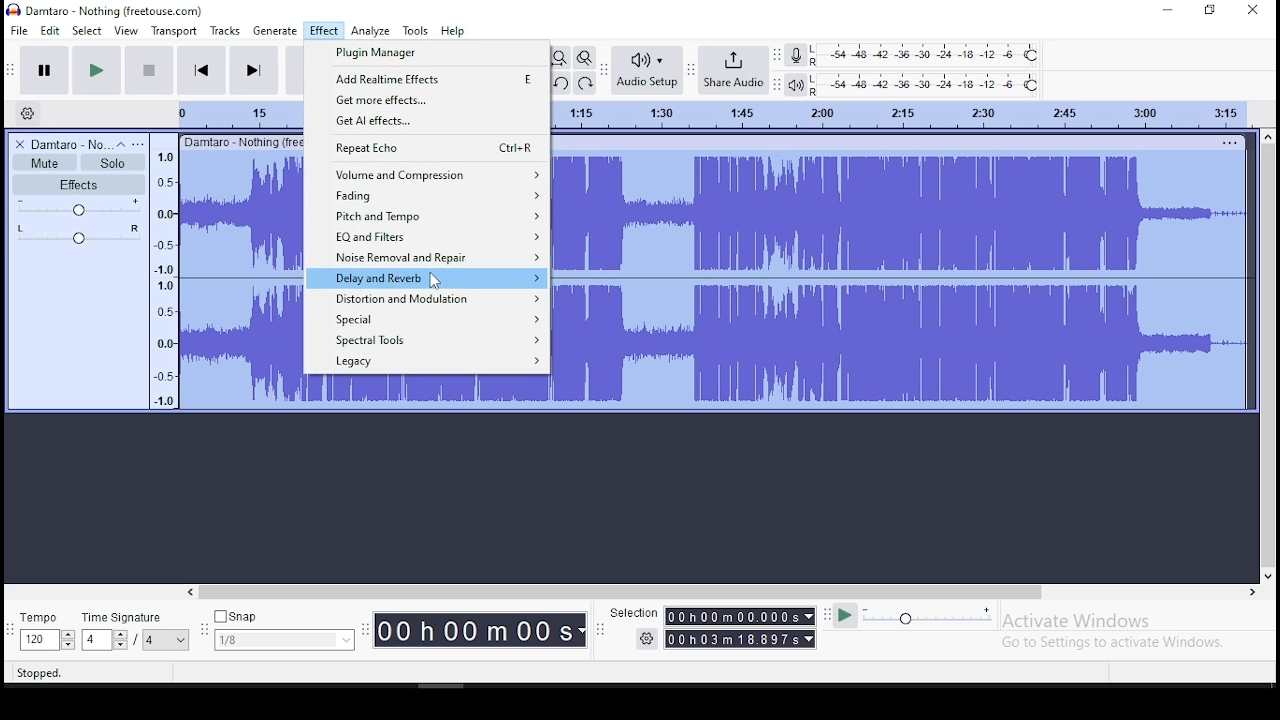  I want to click on playback speed, so click(928, 617).